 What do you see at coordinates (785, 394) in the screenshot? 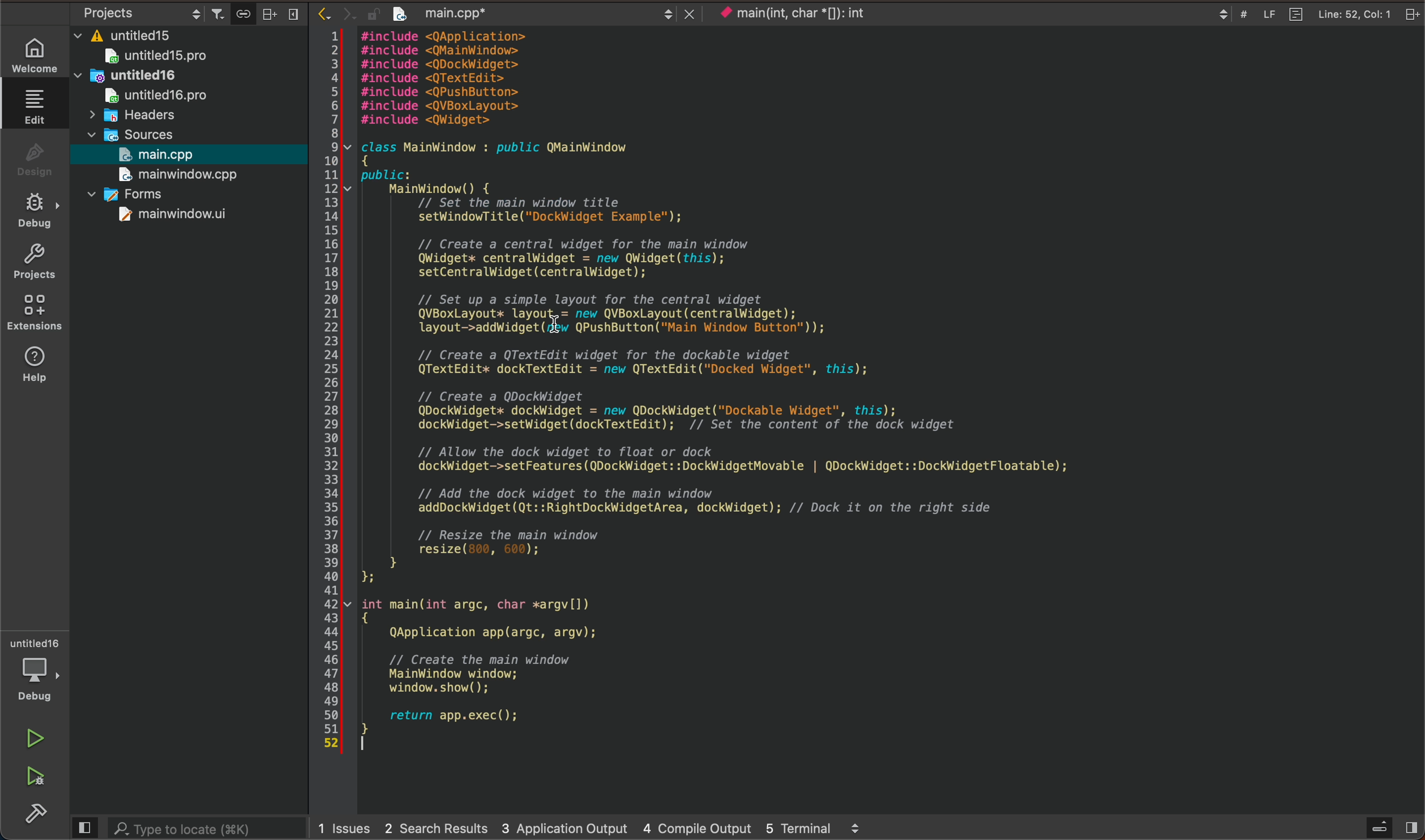
I see `updated code` at bounding box center [785, 394].